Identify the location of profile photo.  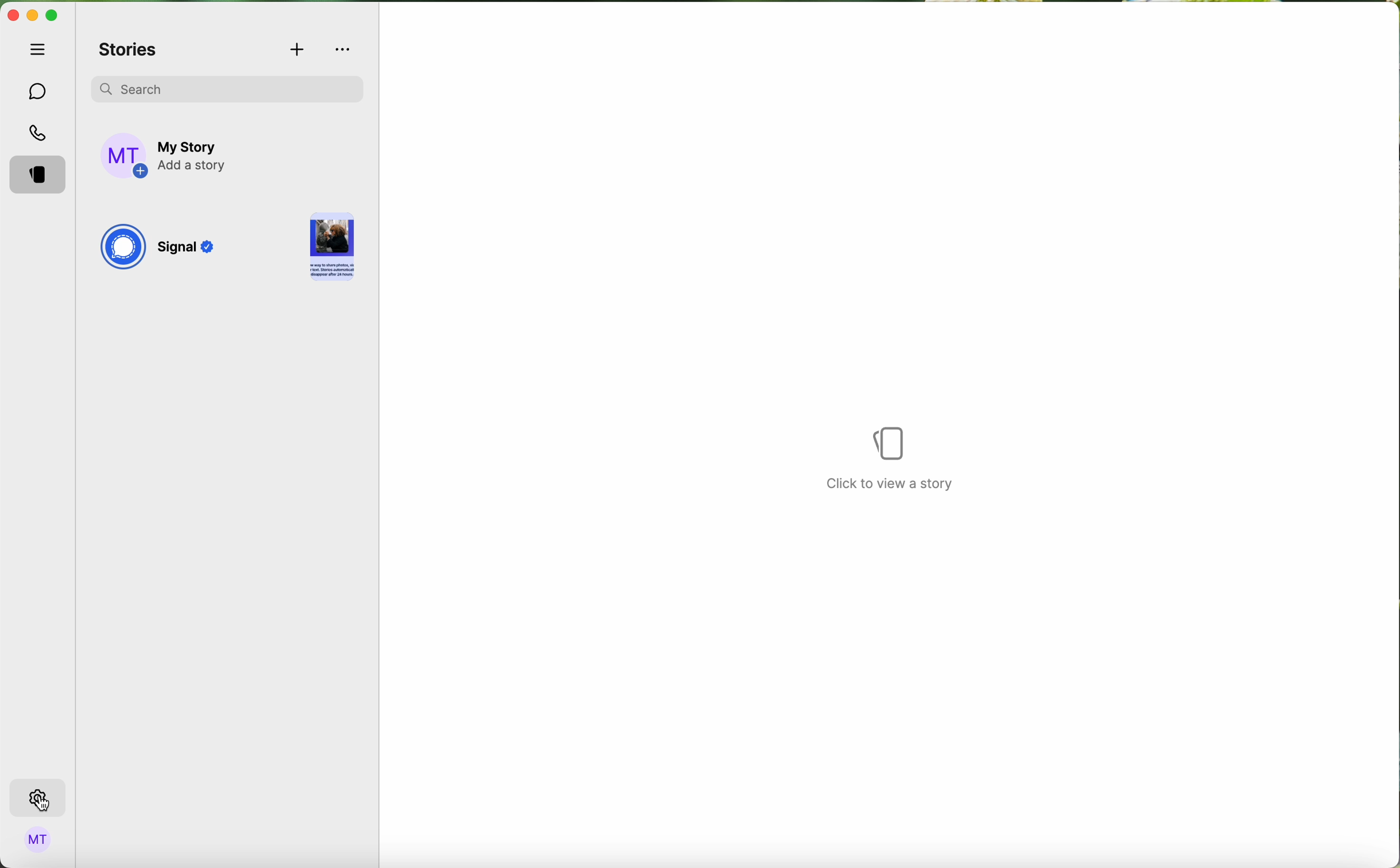
(125, 156).